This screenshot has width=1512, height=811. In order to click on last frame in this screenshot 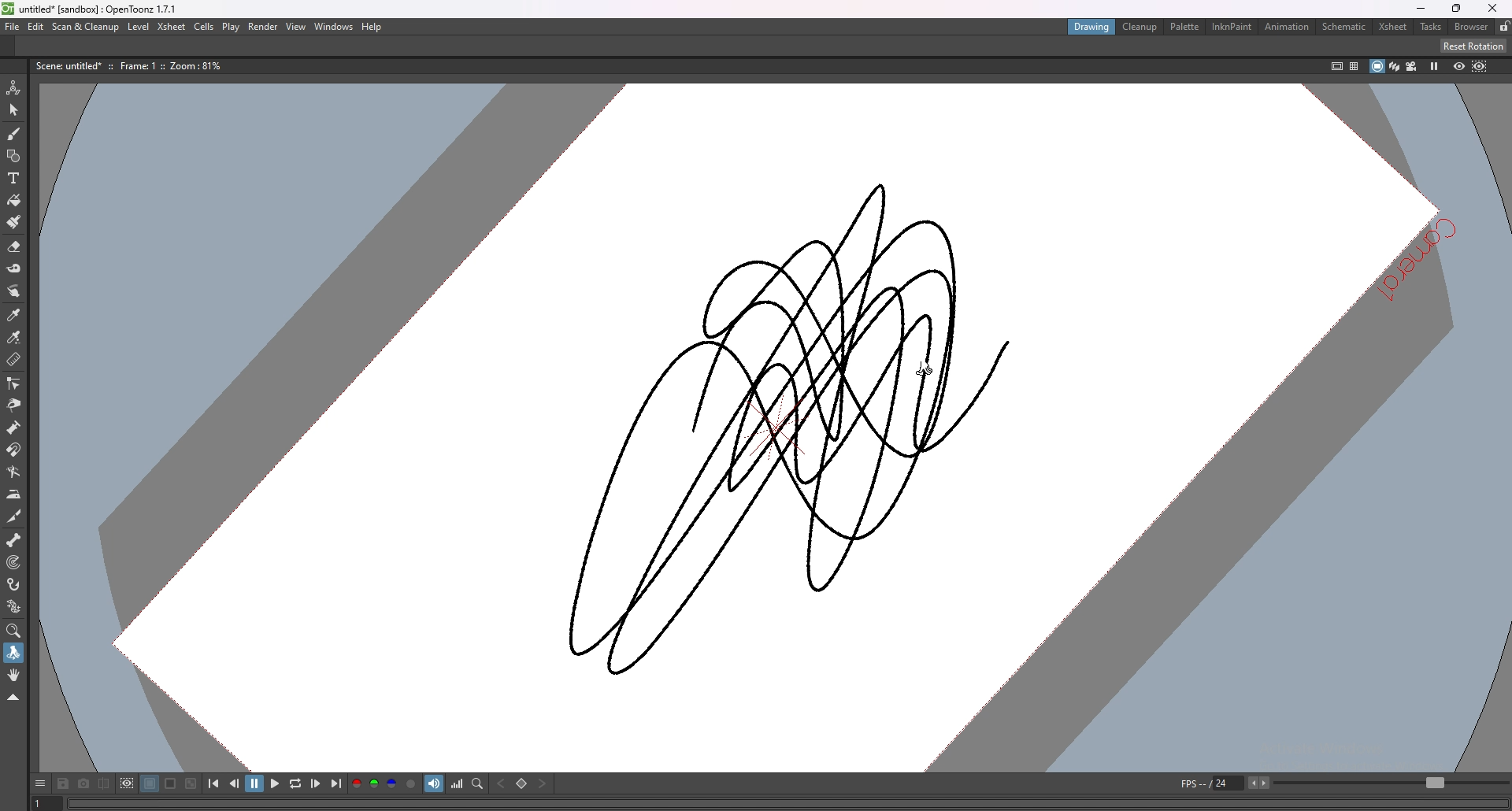, I will do `click(335, 783)`.